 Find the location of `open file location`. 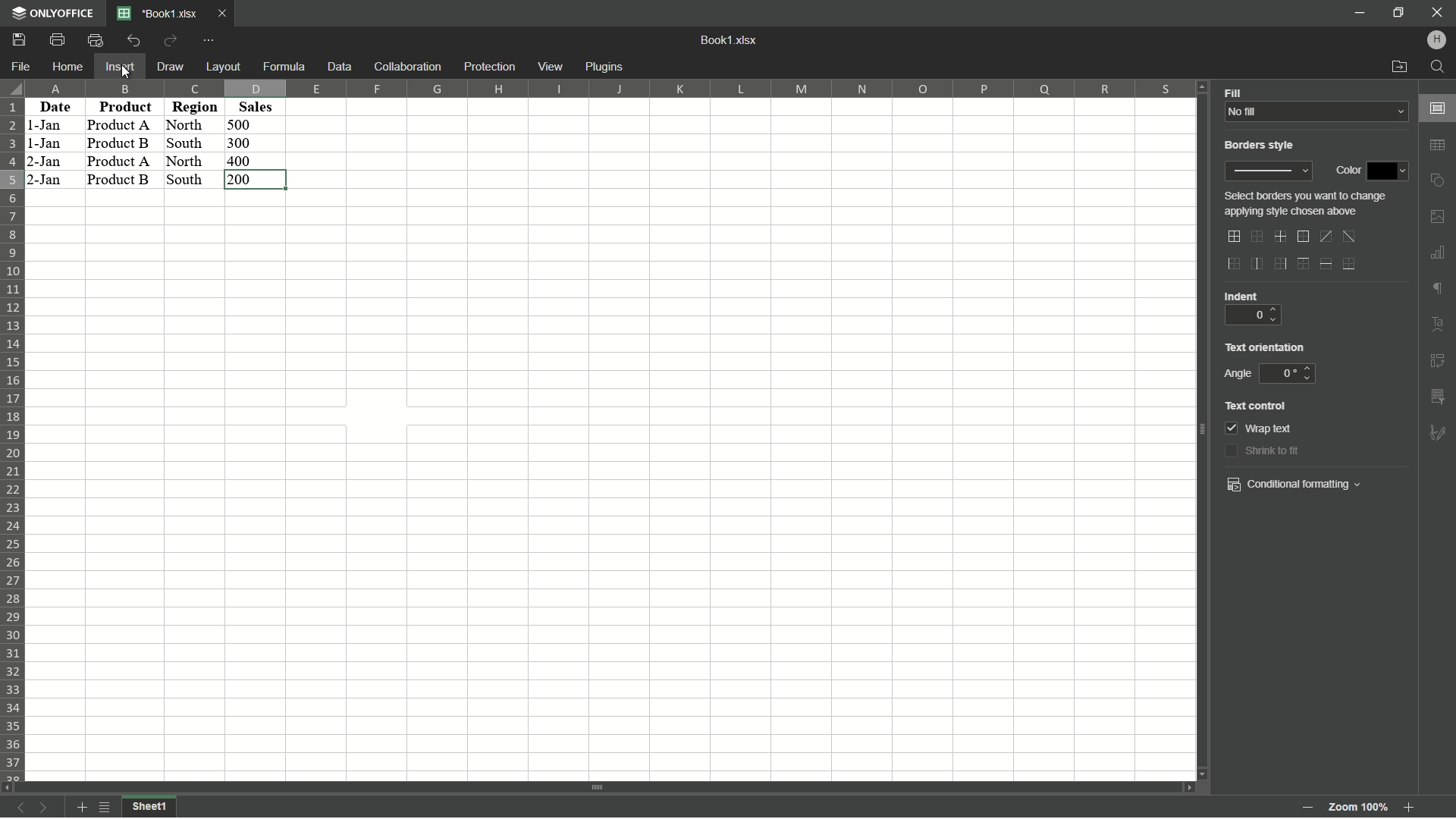

open file location is located at coordinates (1398, 67).